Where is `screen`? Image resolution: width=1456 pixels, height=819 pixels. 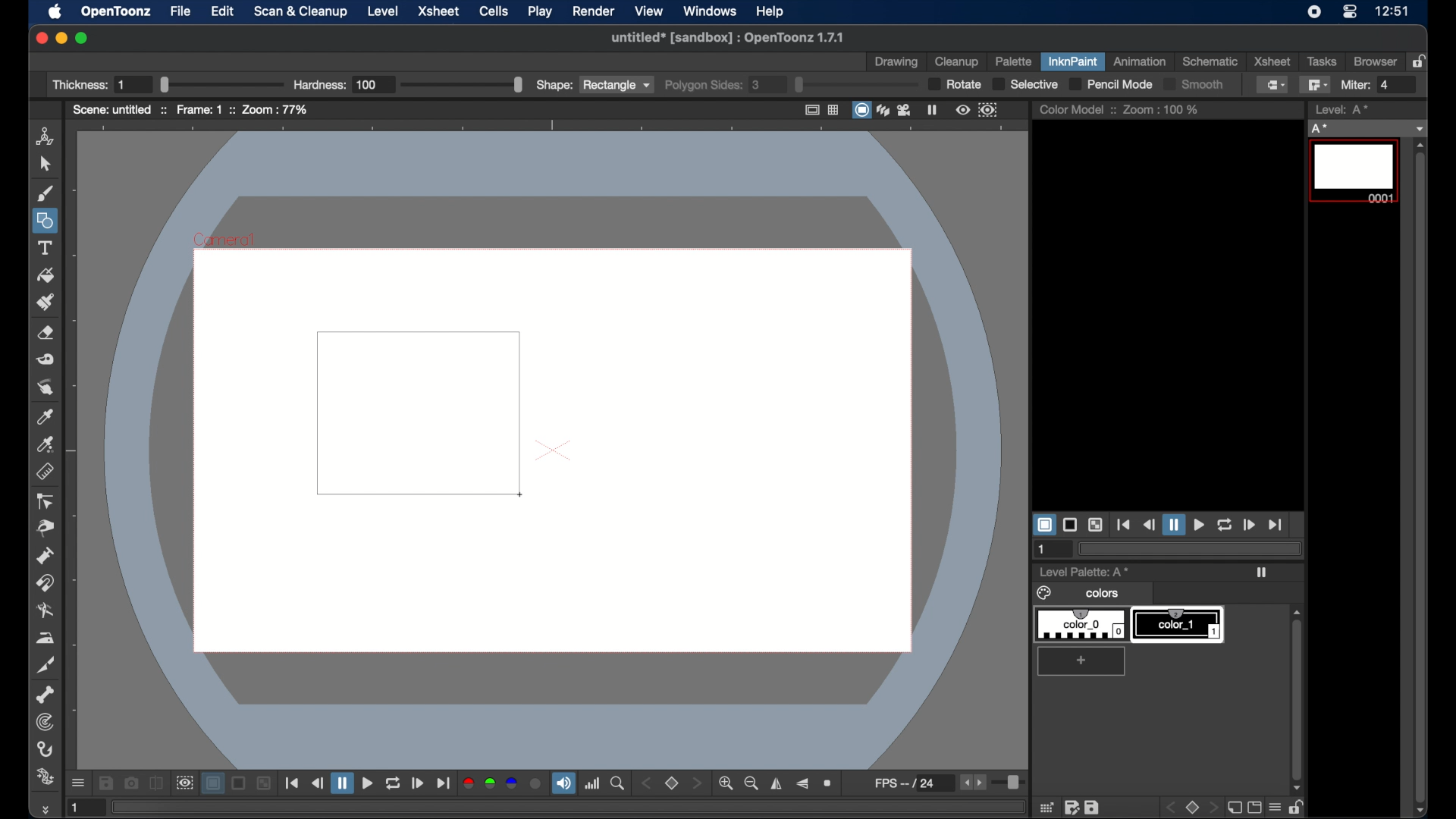 screen is located at coordinates (1254, 807).